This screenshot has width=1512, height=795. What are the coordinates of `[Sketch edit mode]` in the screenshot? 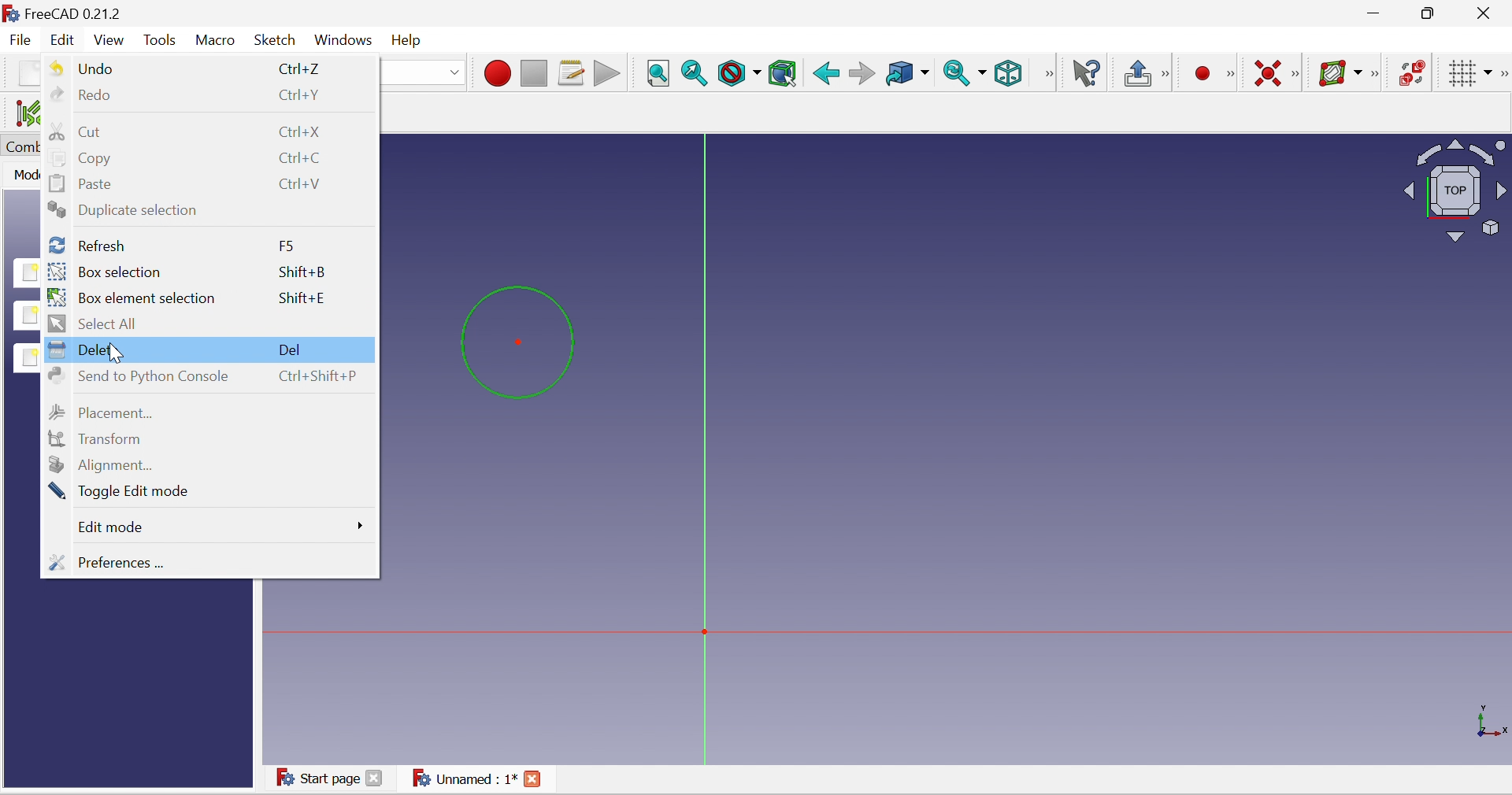 It's located at (1167, 75).